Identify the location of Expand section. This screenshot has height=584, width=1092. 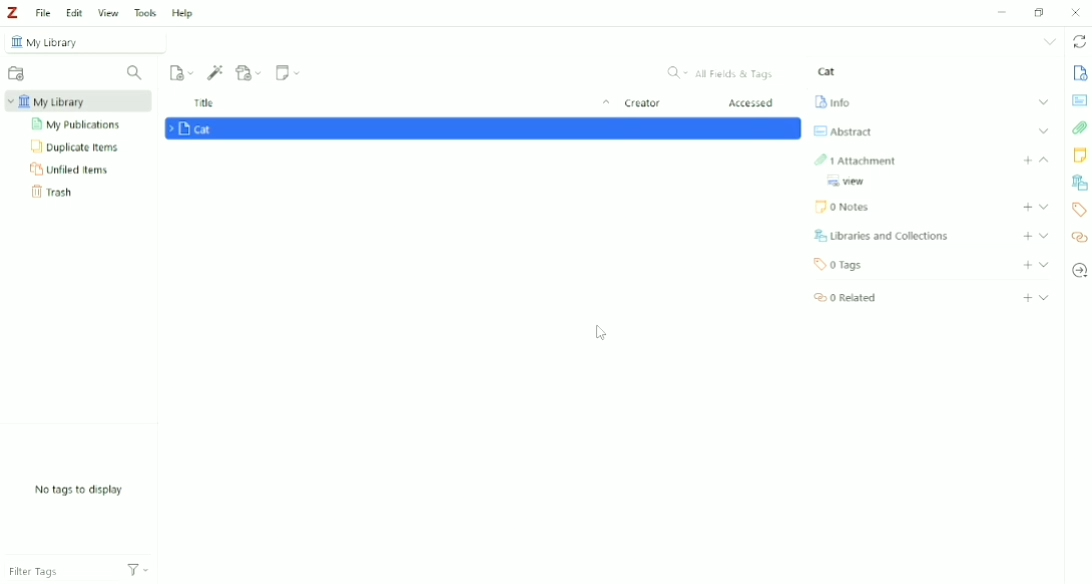
(1046, 206).